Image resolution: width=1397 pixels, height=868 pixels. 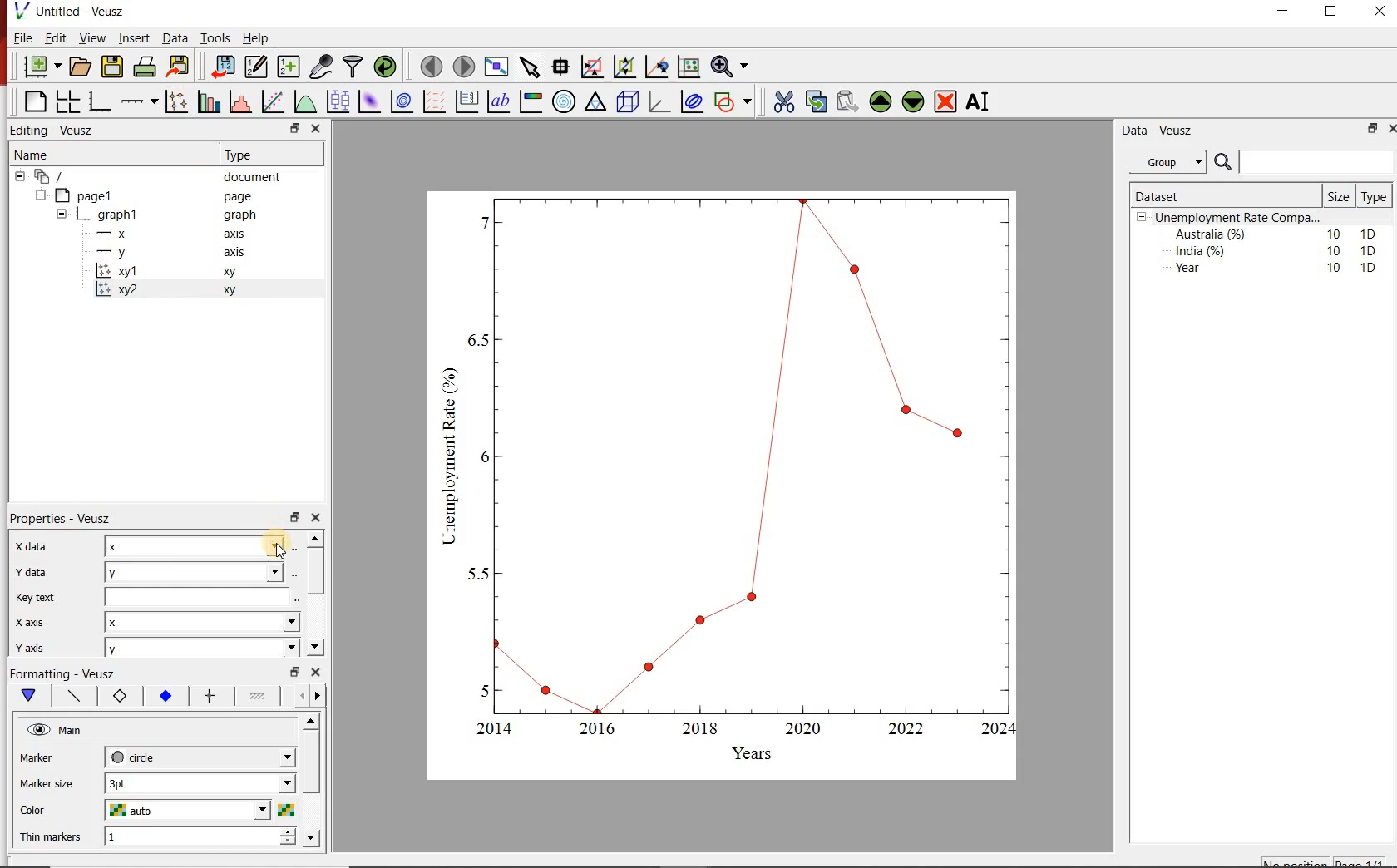 What do you see at coordinates (499, 101) in the screenshot?
I see `text label` at bounding box center [499, 101].